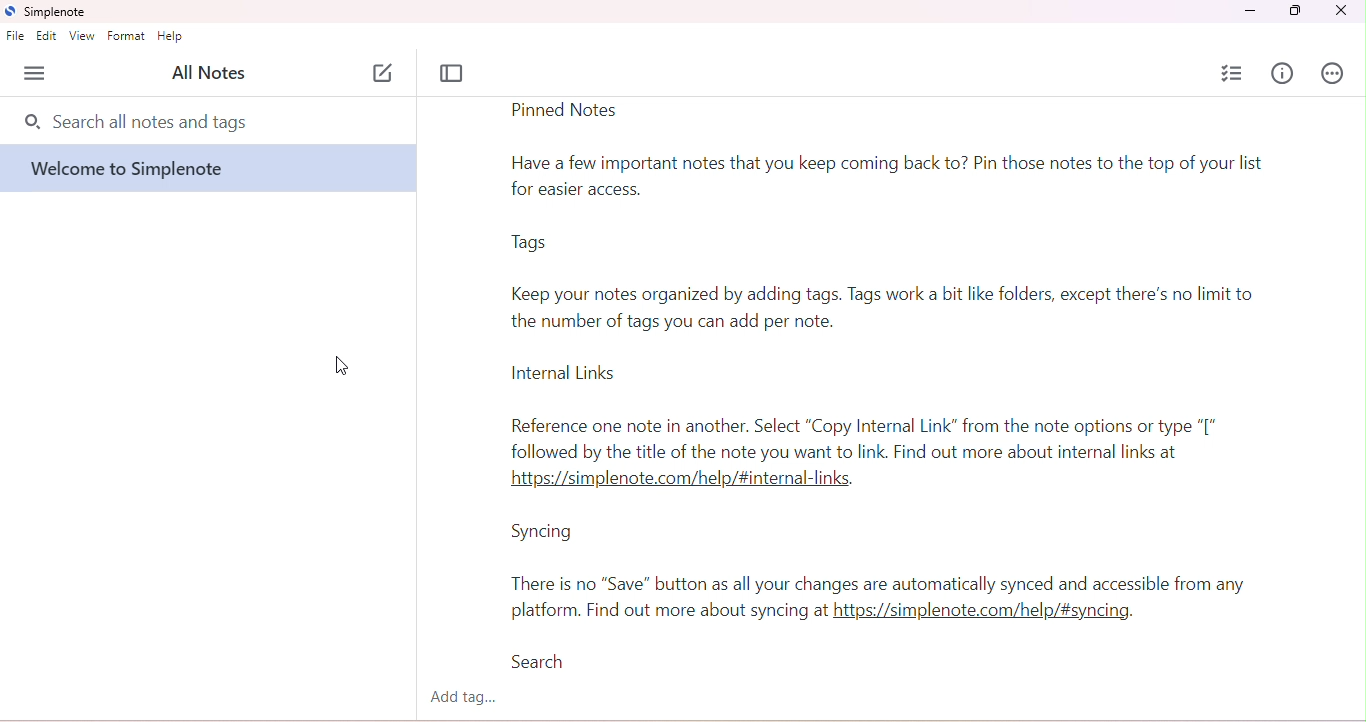 This screenshot has width=1366, height=722. Describe the element at coordinates (384, 73) in the screenshot. I see `new note` at that location.